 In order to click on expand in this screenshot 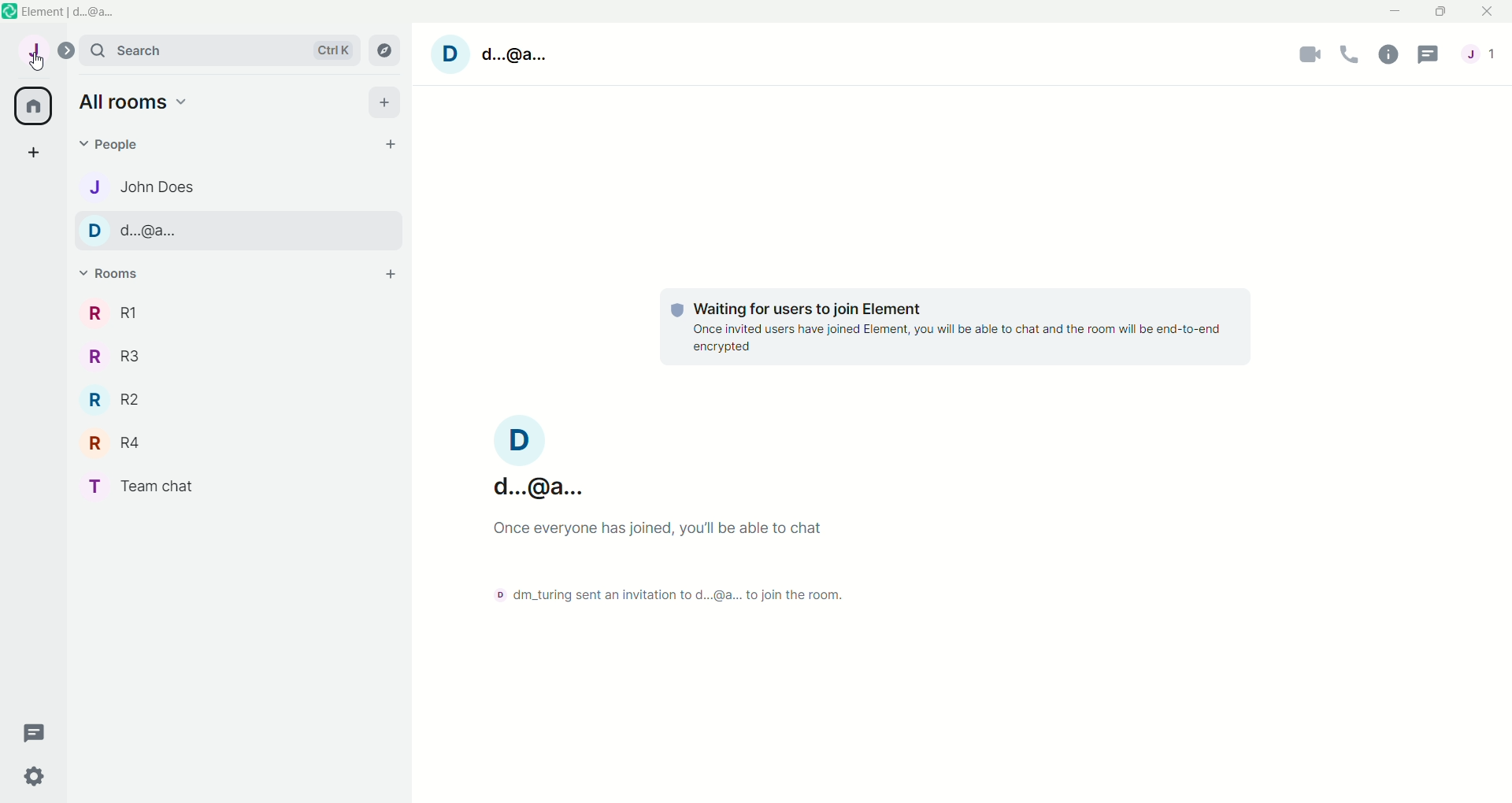, I will do `click(65, 51)`.